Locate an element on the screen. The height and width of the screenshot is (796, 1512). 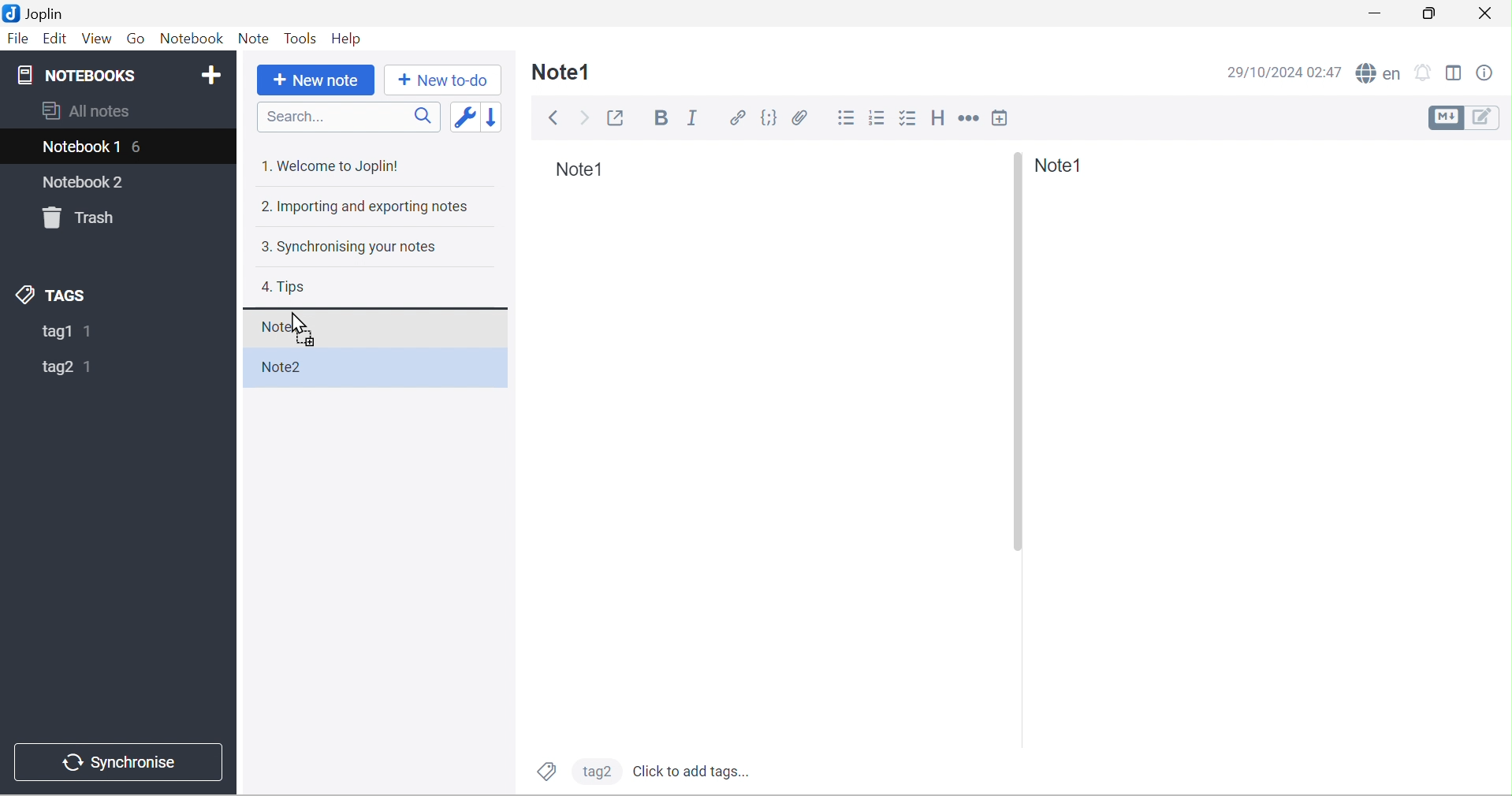
Toggle editor layout is located at coordinates (1455, 70).